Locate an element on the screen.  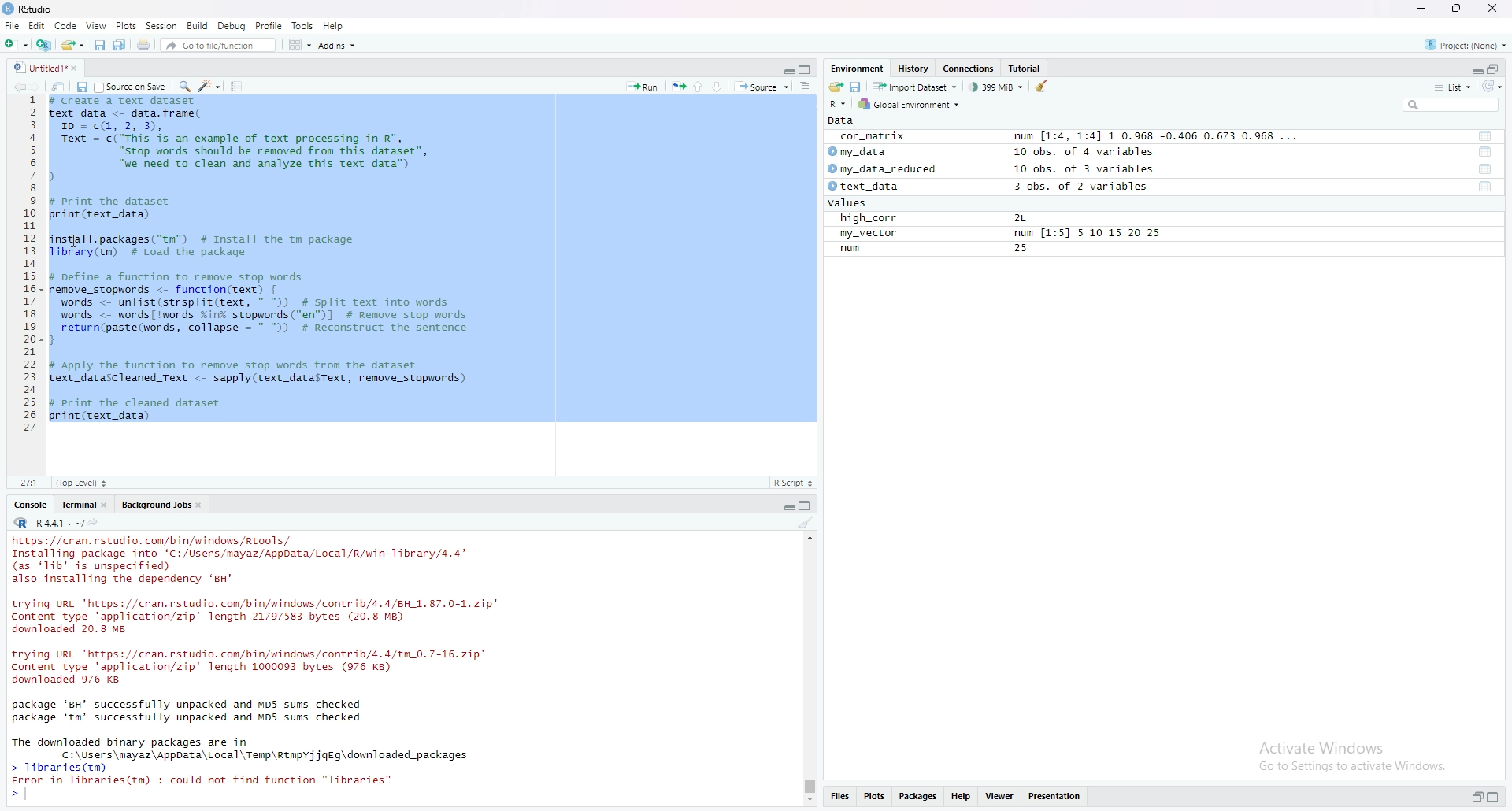
view the current working directory is located at coordinates (97, 524).